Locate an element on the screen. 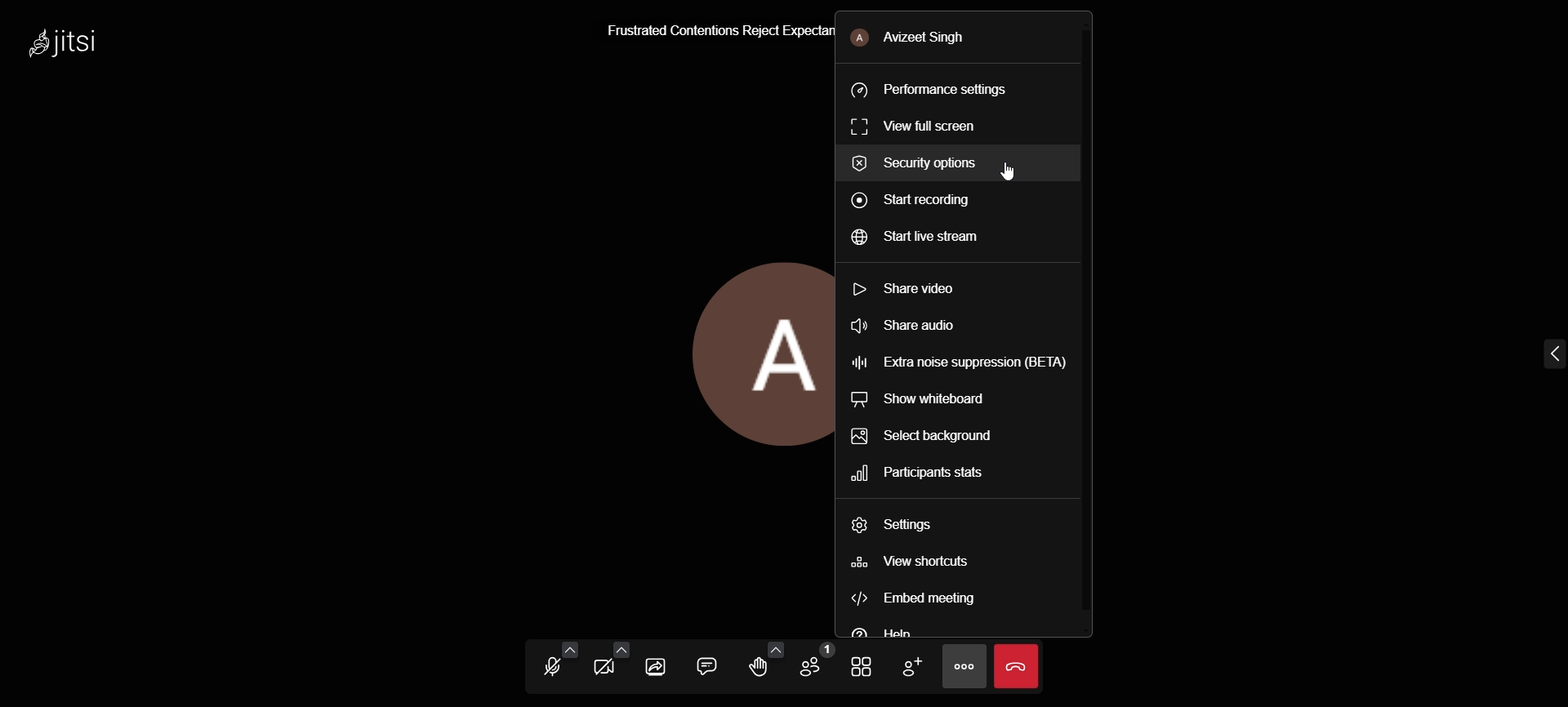  select background is located at coordinates (920, 438).